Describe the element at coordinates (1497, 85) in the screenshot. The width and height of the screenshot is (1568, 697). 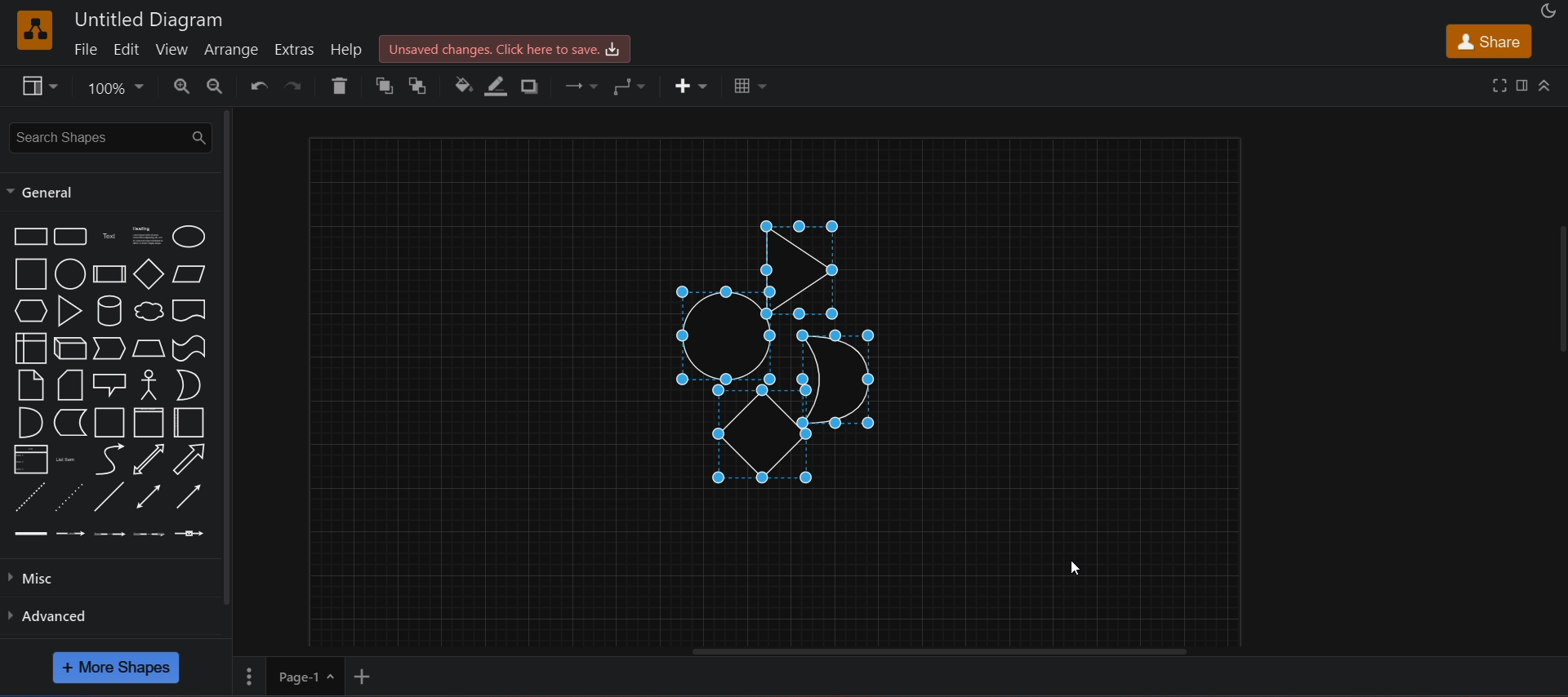
I see `fullscreen` at that location.